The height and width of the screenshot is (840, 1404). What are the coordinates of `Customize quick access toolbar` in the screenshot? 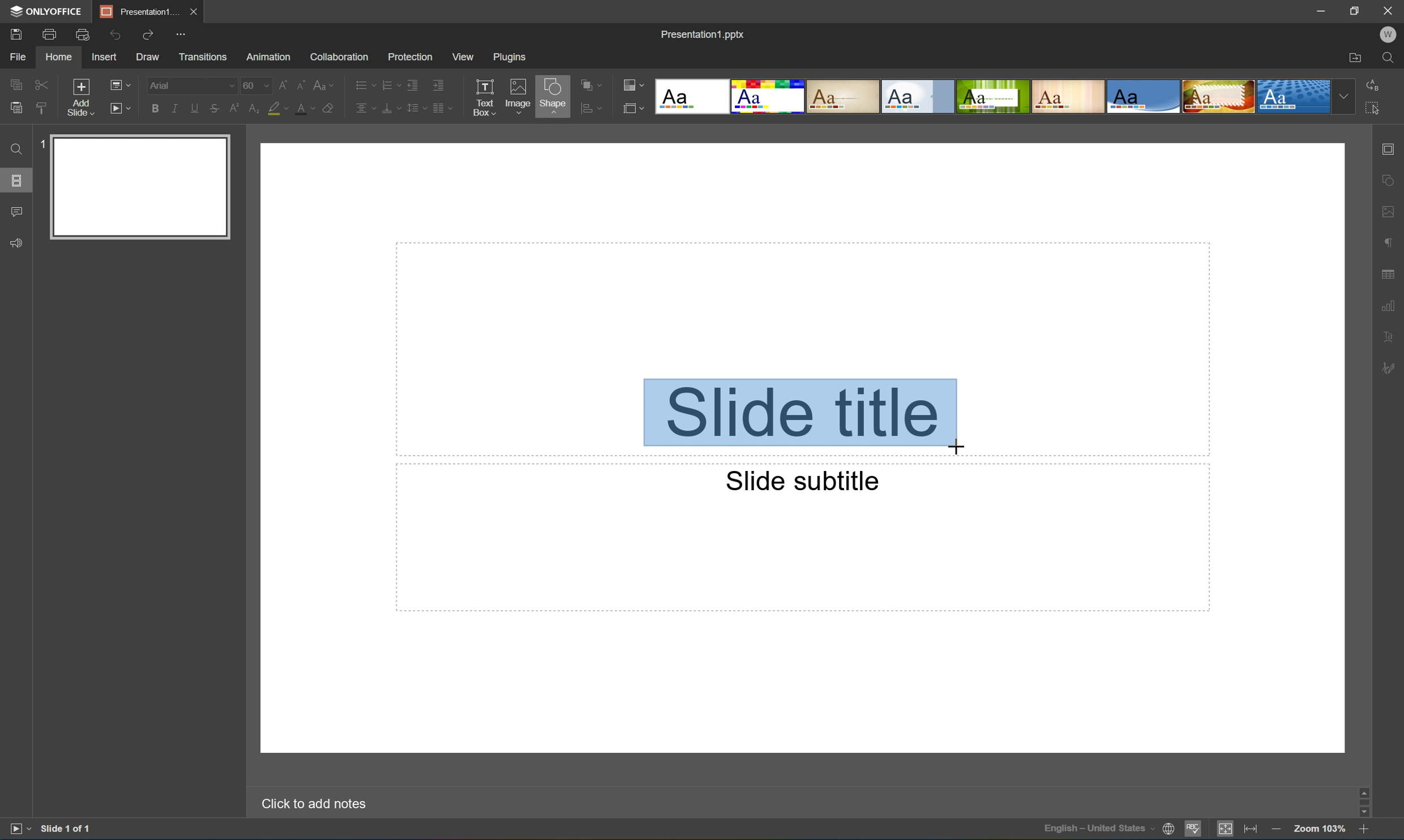 It's located at (178, 33).